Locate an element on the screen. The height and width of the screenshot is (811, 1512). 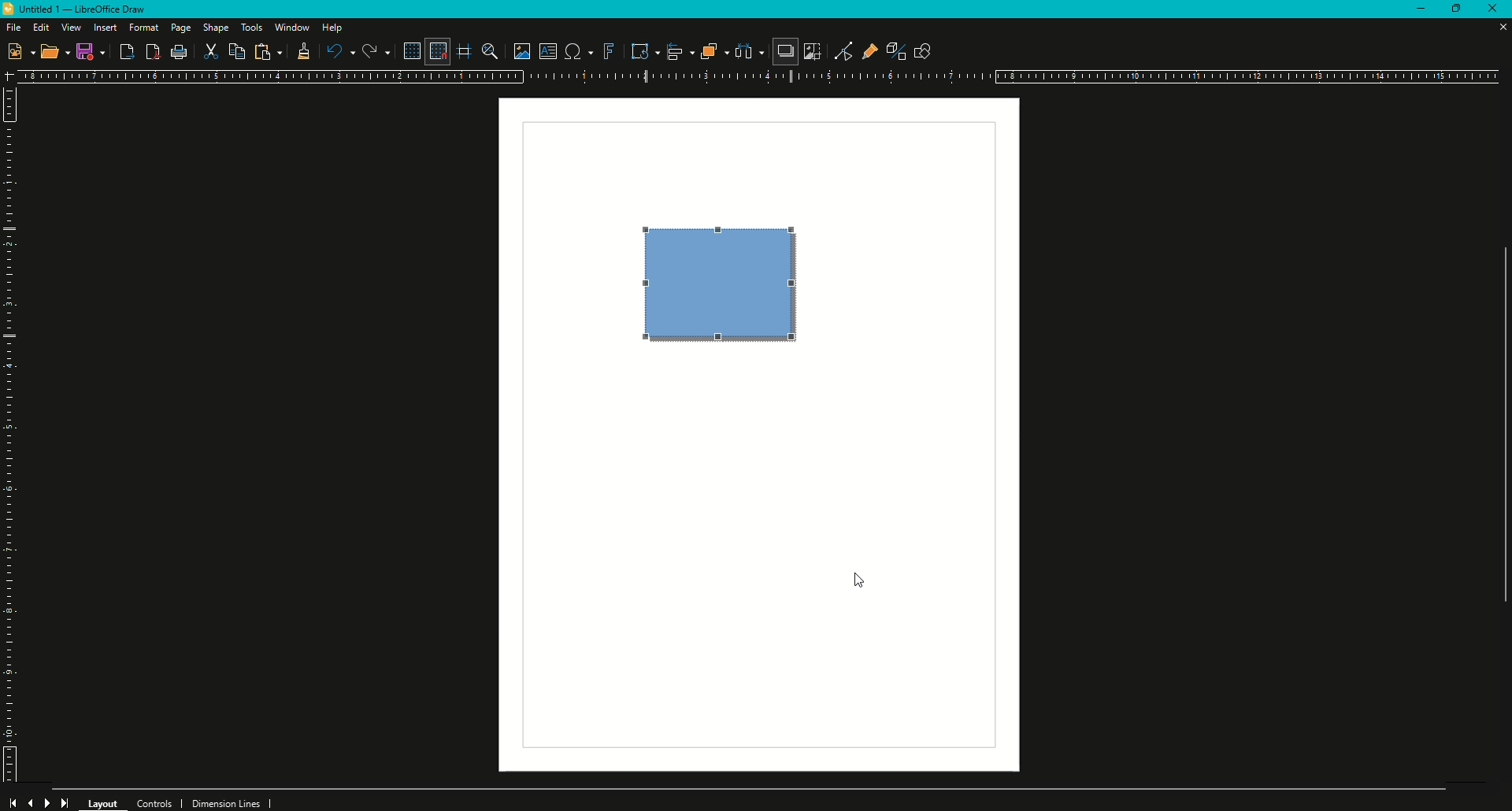
Zoom and Pan is located at coordinates (488, 50).